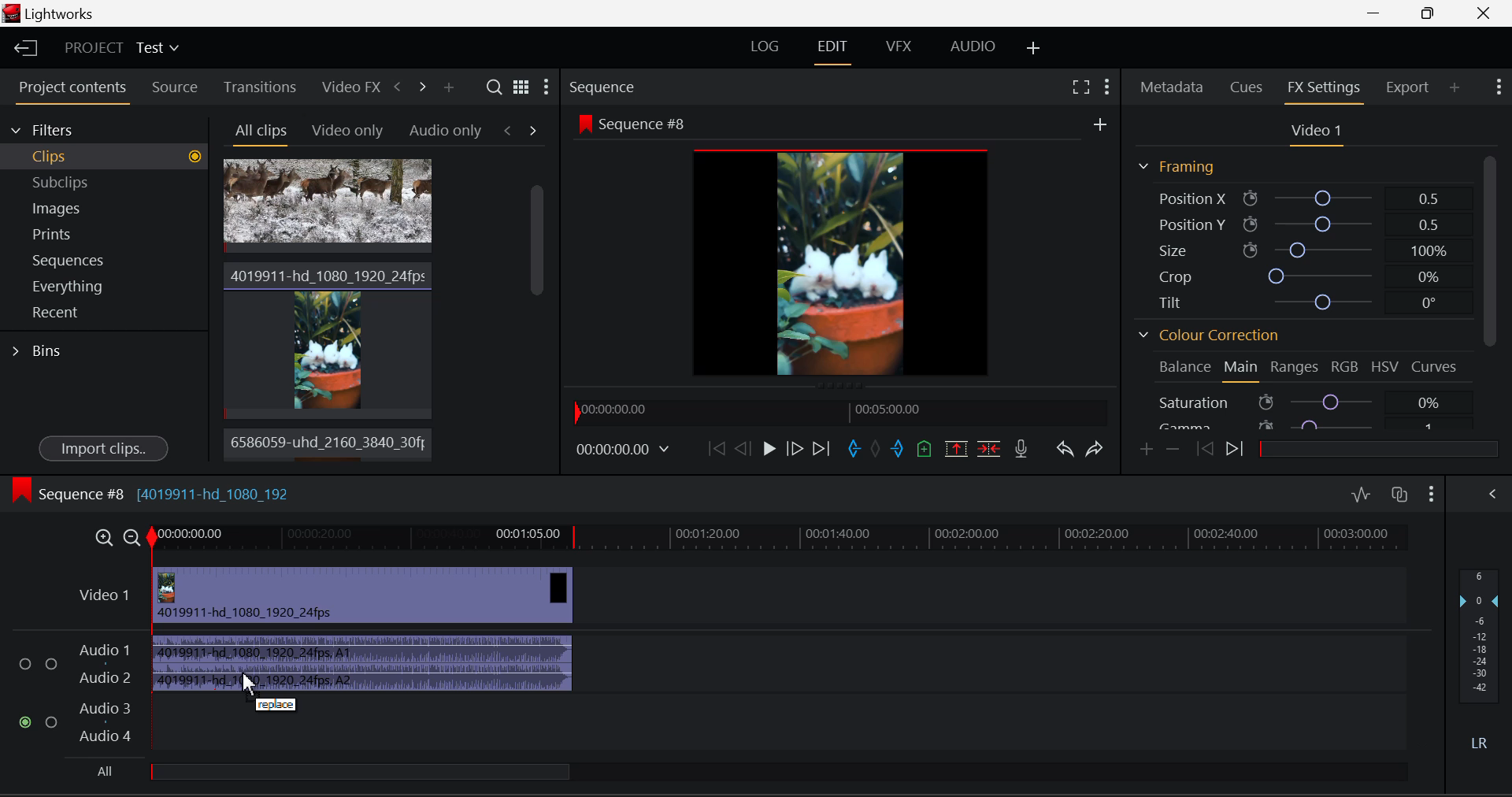 This screenshot has width=1512, height=797. I want to click on Lightworks, so click(54, 13).